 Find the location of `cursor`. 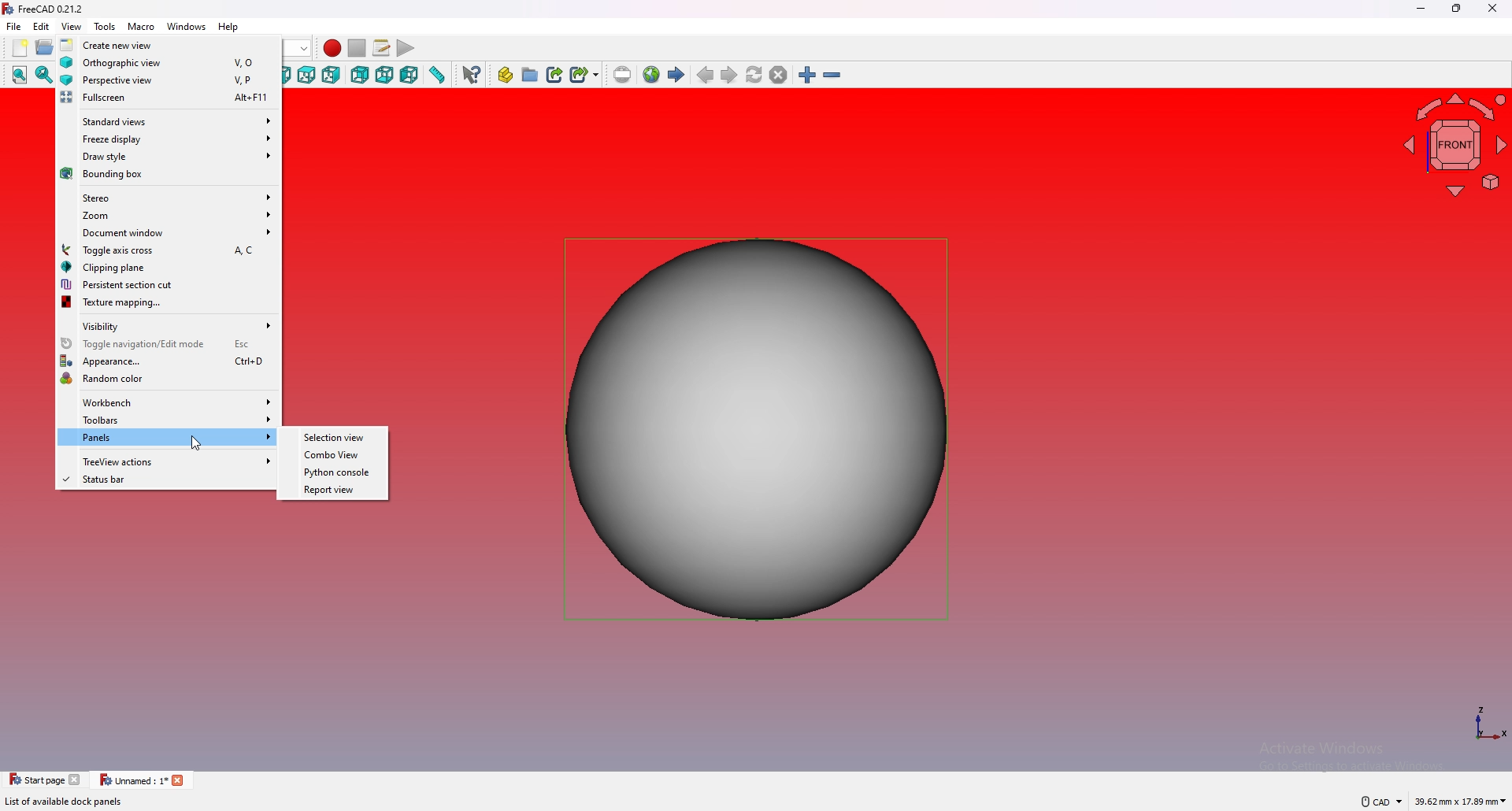

cursor is located at coordinates (195, 444).